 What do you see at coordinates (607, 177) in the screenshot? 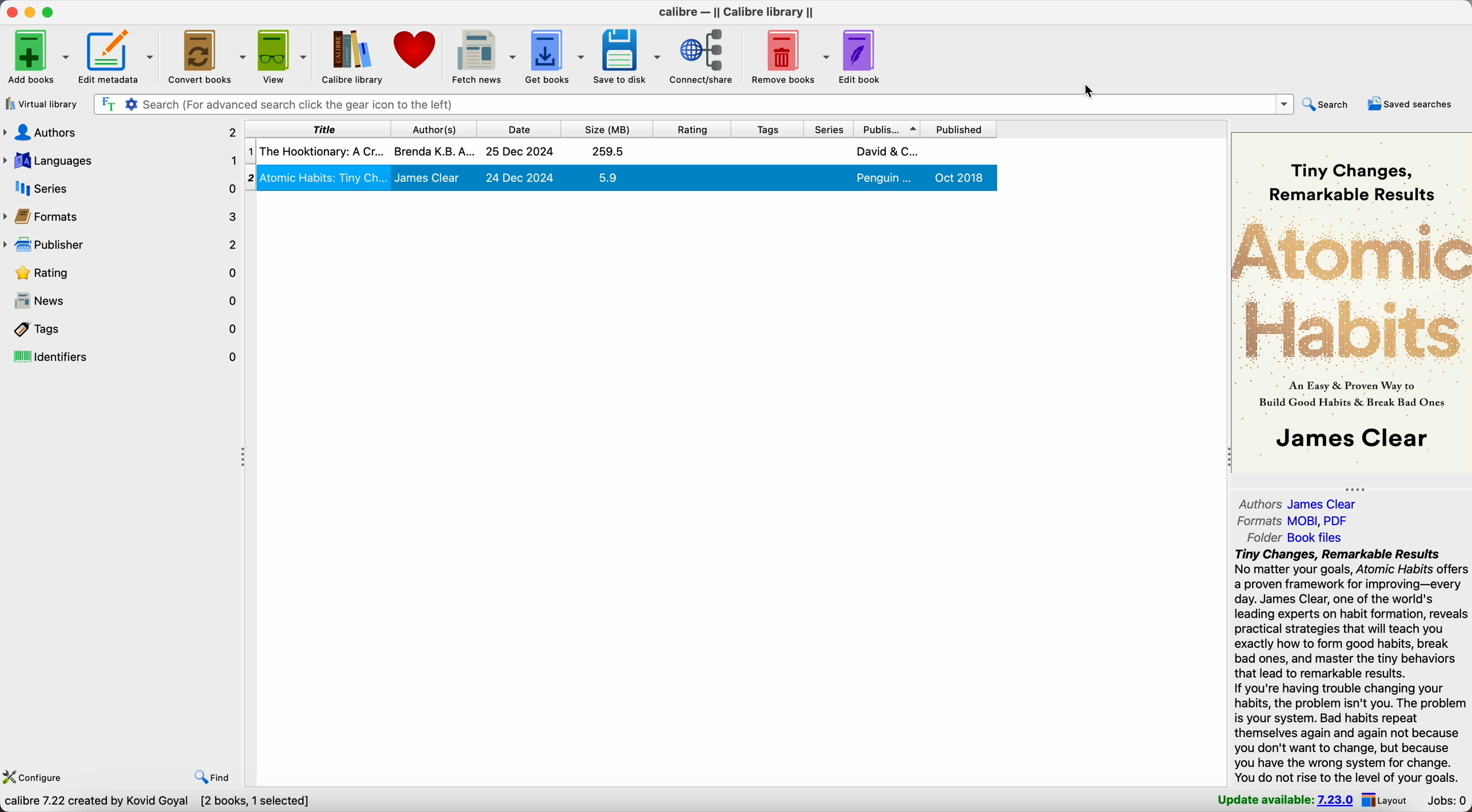
I see `5.9` at bounding box center [607, 177].